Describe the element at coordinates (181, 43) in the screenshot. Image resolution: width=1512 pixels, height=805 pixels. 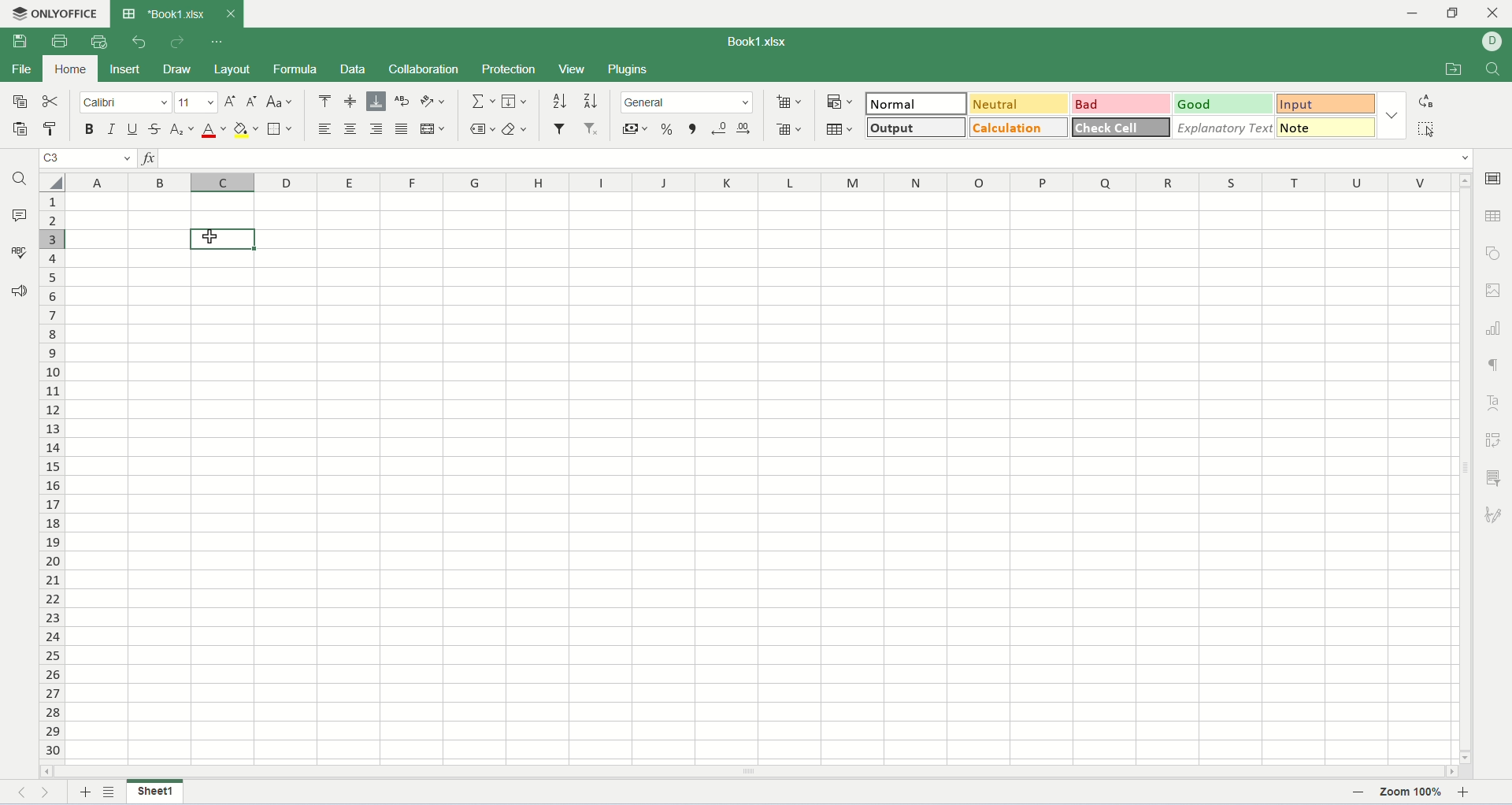
I see `redo` at that location.